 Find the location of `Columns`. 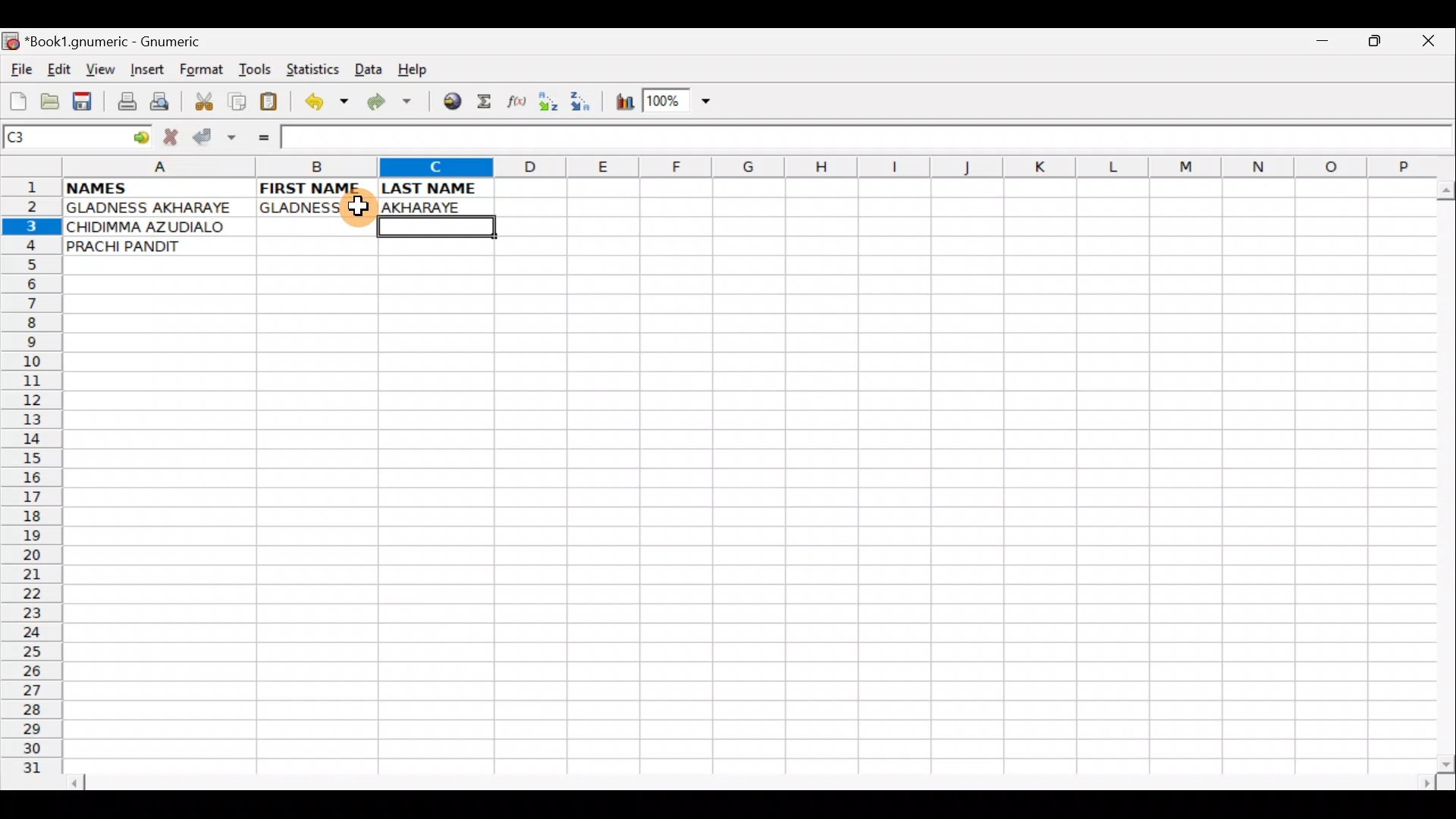

Columns is located at coordinates (741, 168).